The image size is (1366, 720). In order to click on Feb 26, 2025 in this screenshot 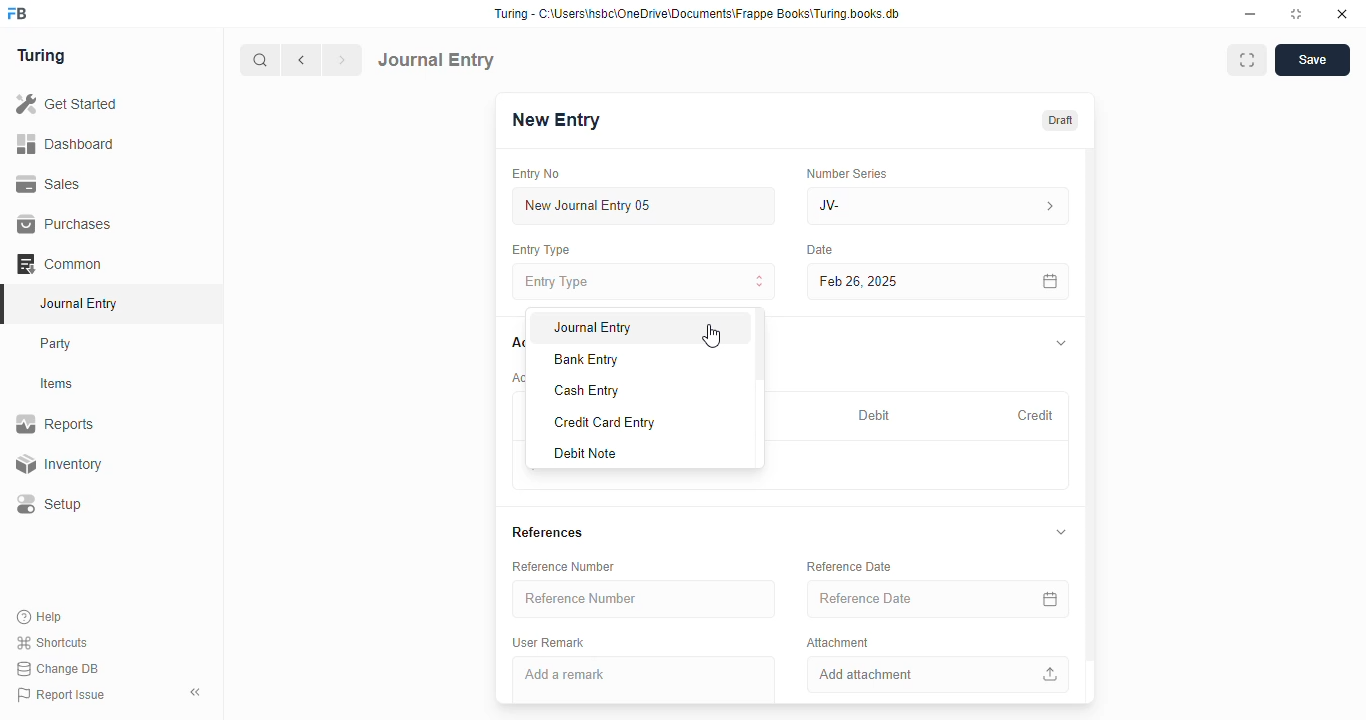, I will do `click(895, 281)`.